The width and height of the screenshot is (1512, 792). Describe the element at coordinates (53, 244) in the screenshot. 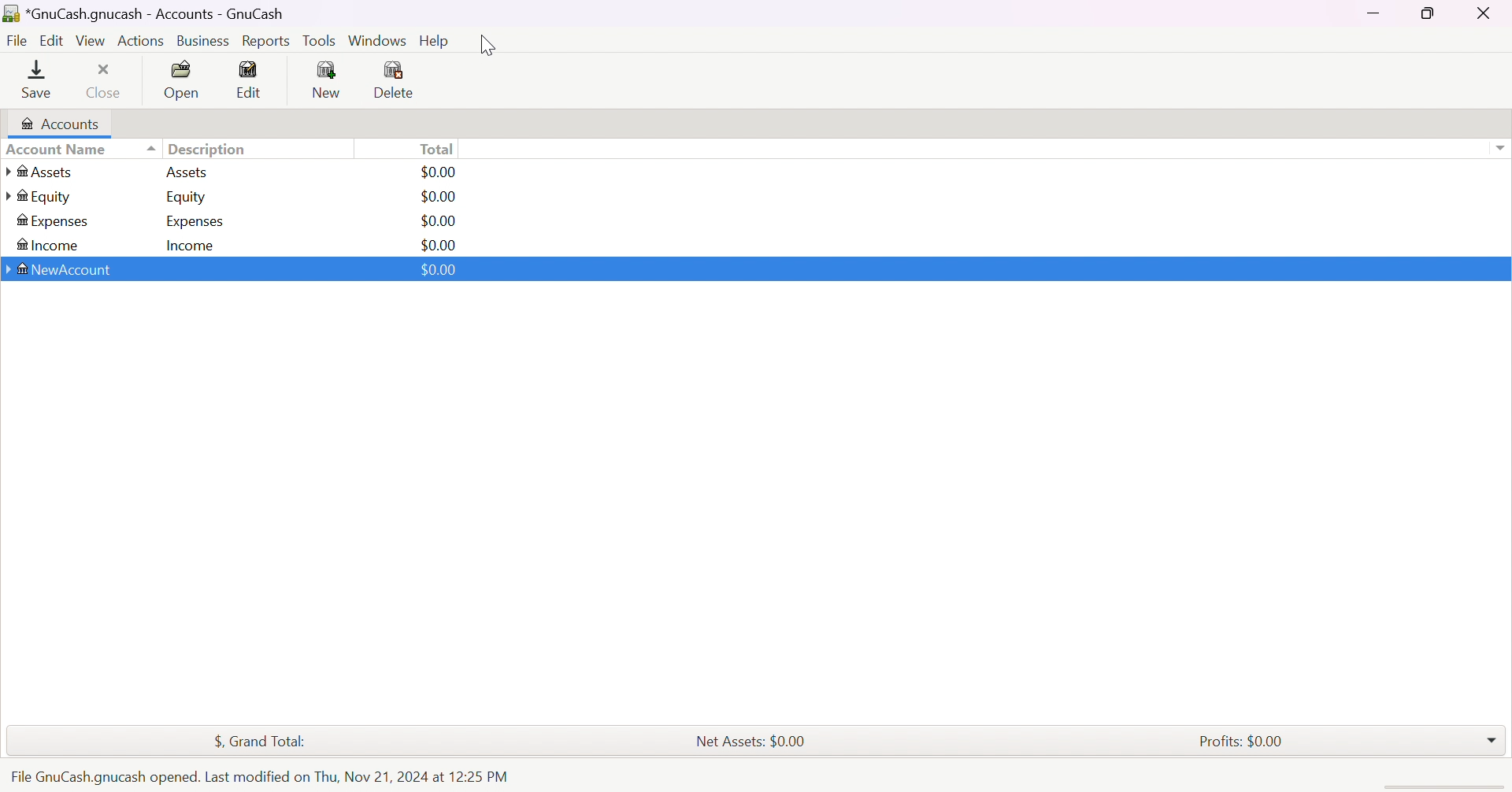

I see `Income` at that location.